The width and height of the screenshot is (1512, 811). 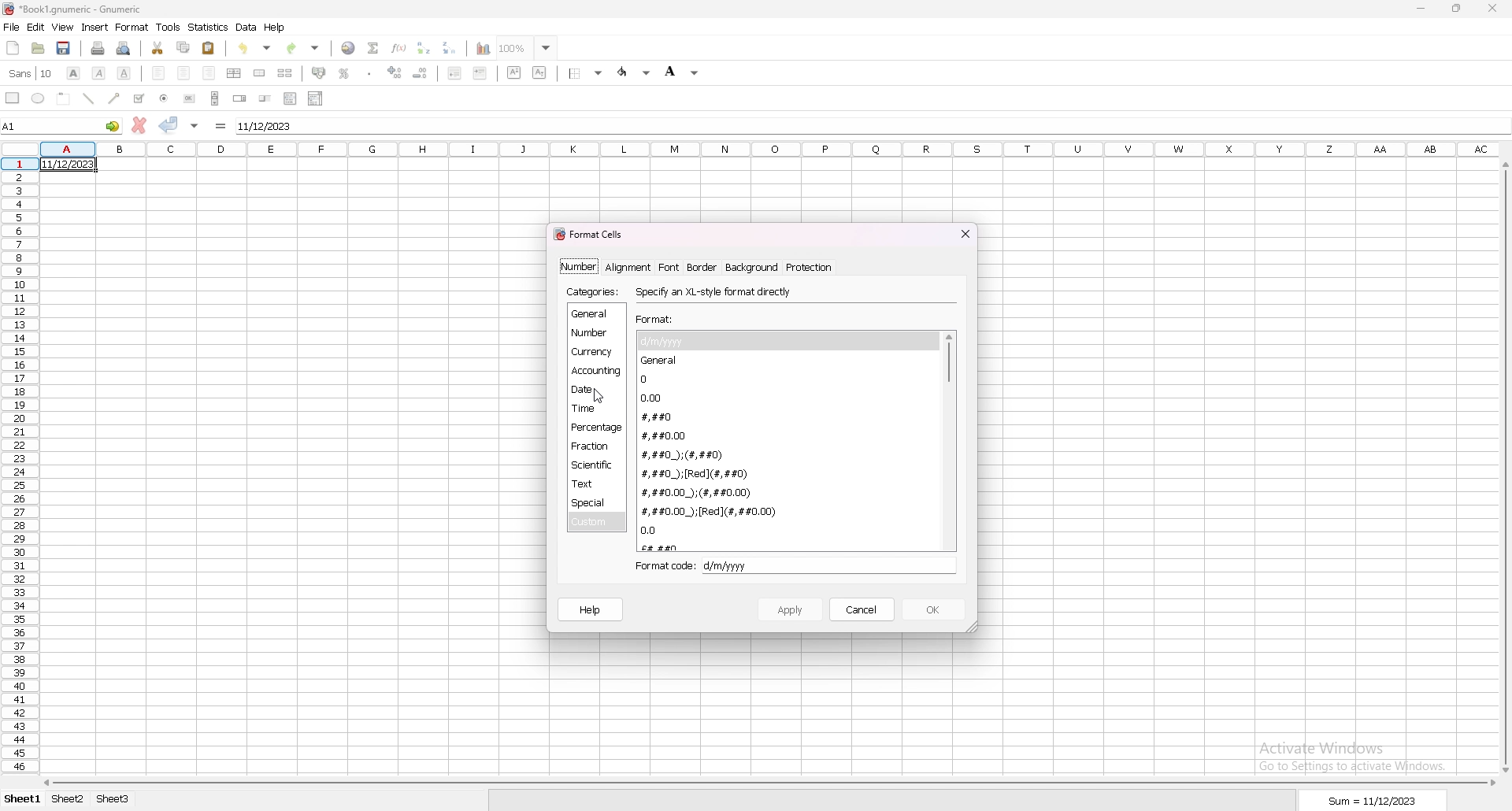 What do you see at coordinates (209, 73) in the screenshot?
I see `right align` at bounding box center [209, 73].